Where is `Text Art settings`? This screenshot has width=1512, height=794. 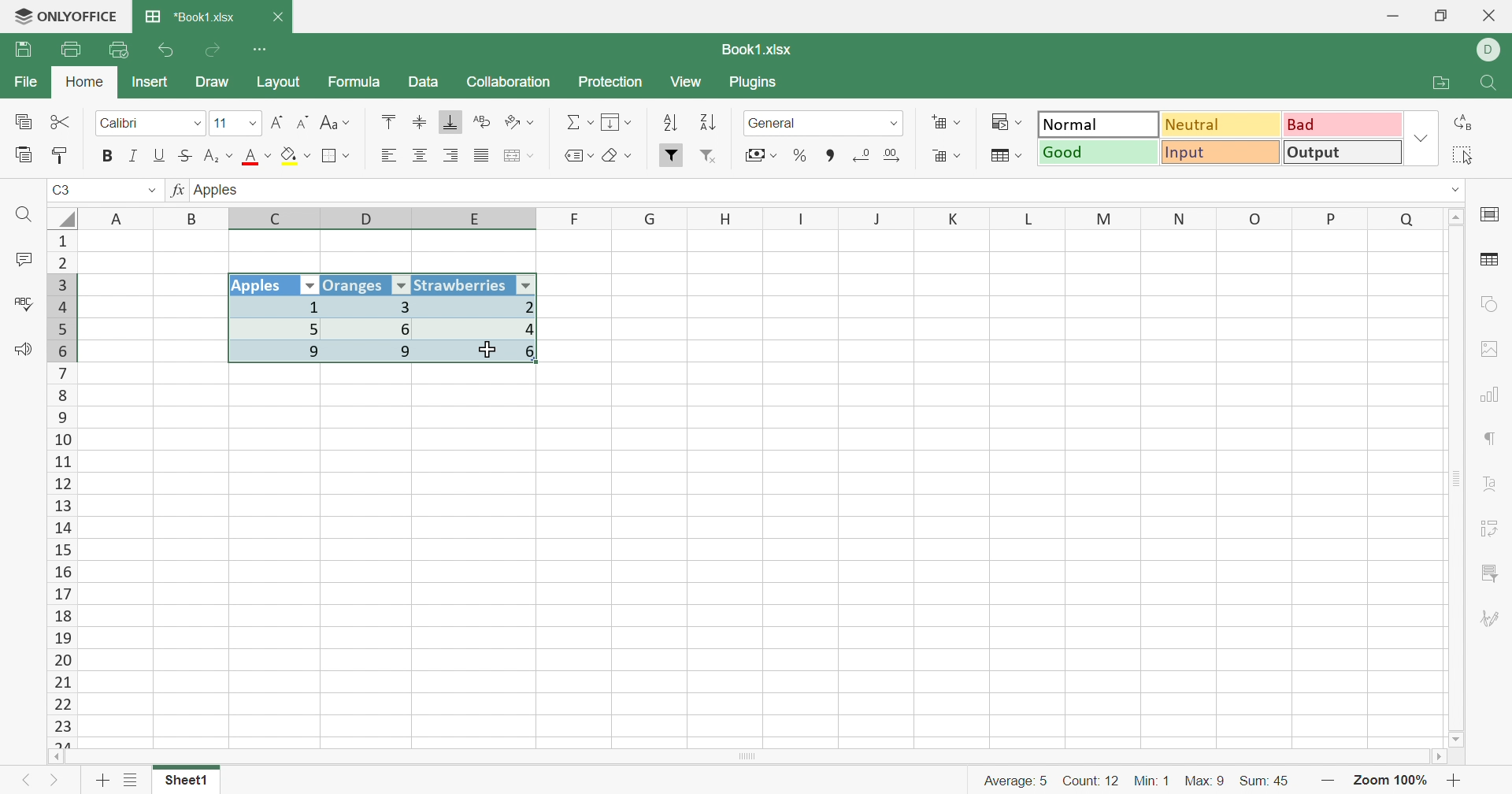 Text Art settings is located at coordinates (1494, 485).